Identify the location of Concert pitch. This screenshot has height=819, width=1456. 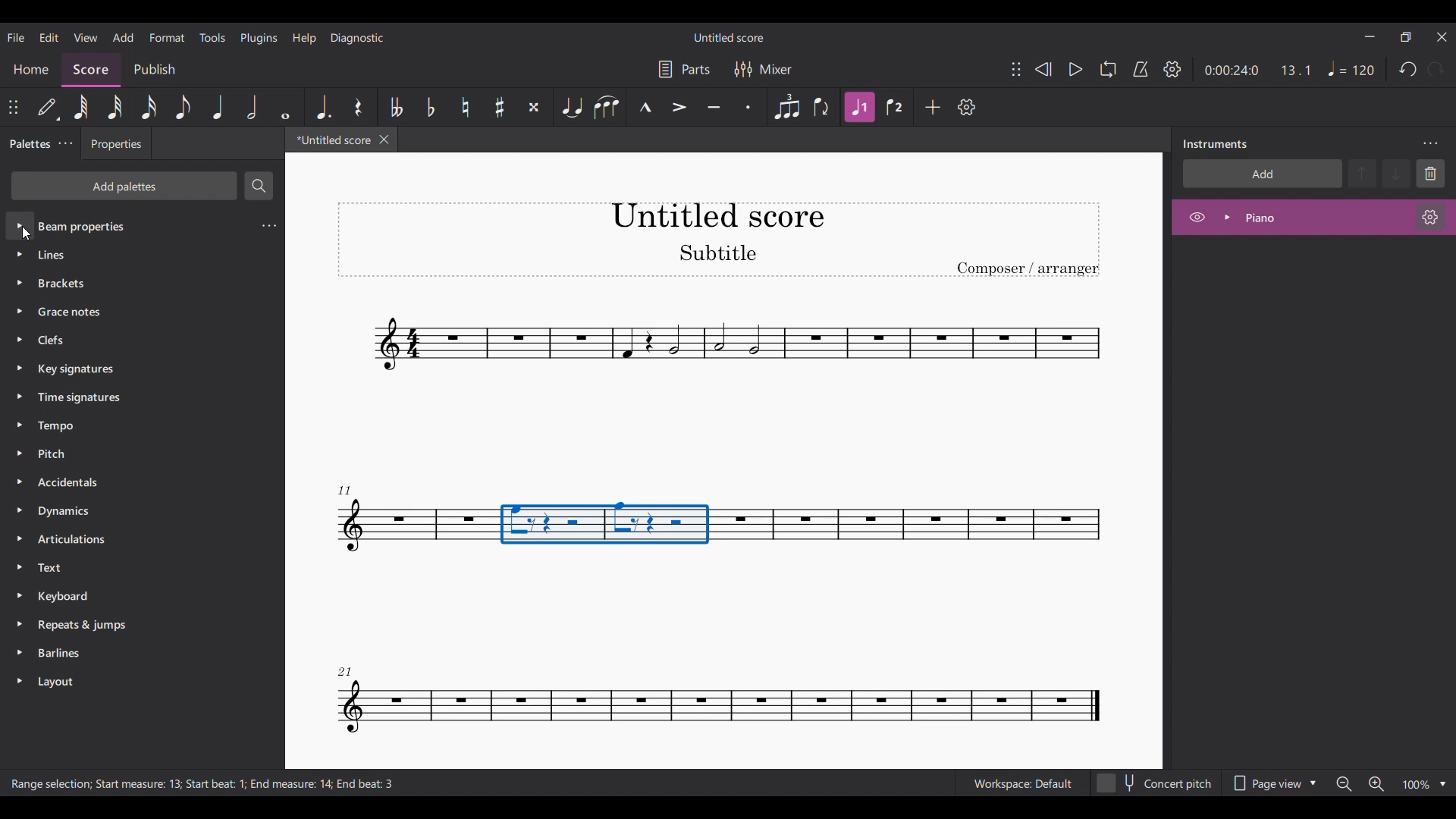
(1155, 780).